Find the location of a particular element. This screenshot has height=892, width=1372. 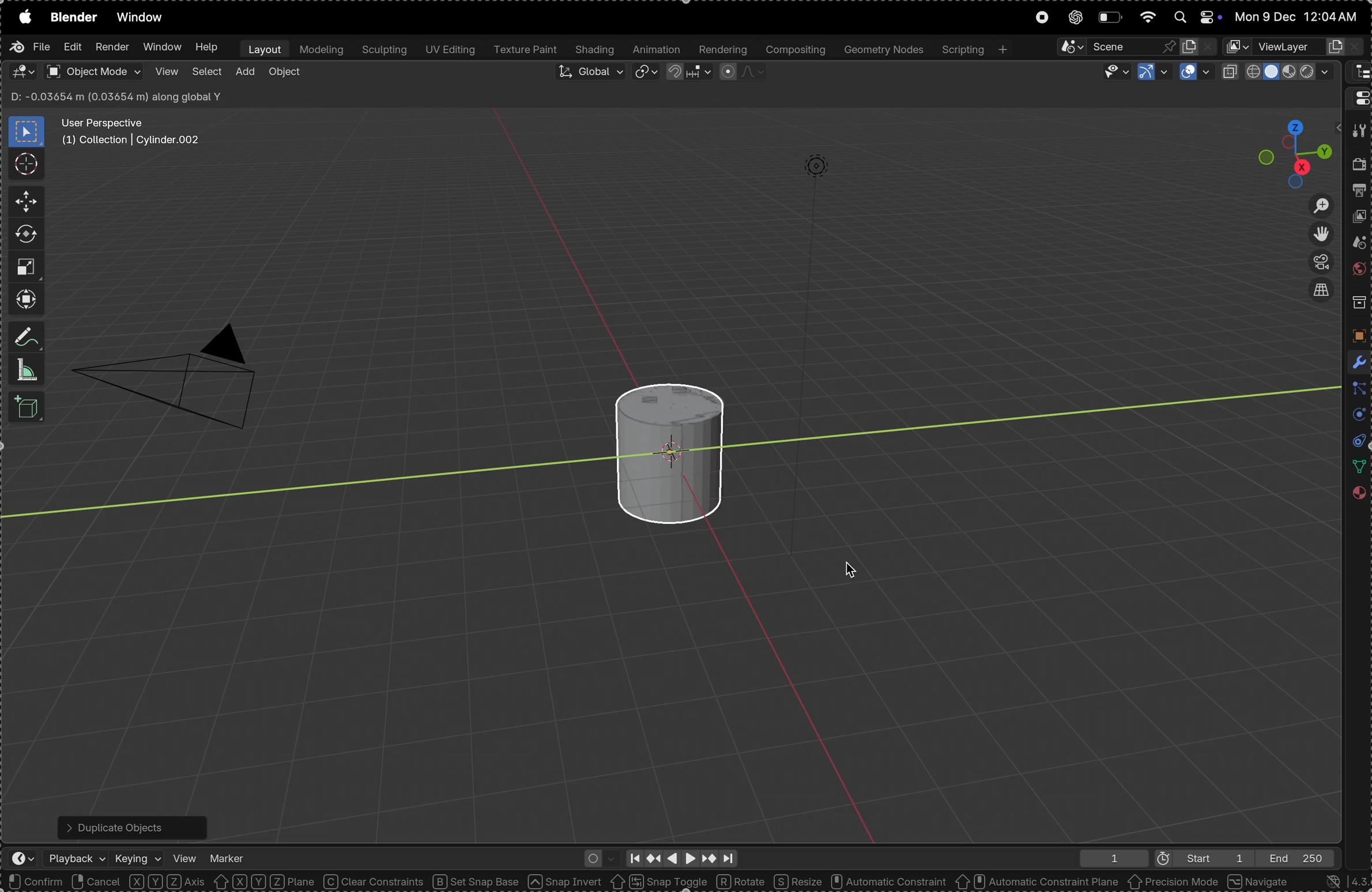

texture paint is located at coordinates (525, 50).